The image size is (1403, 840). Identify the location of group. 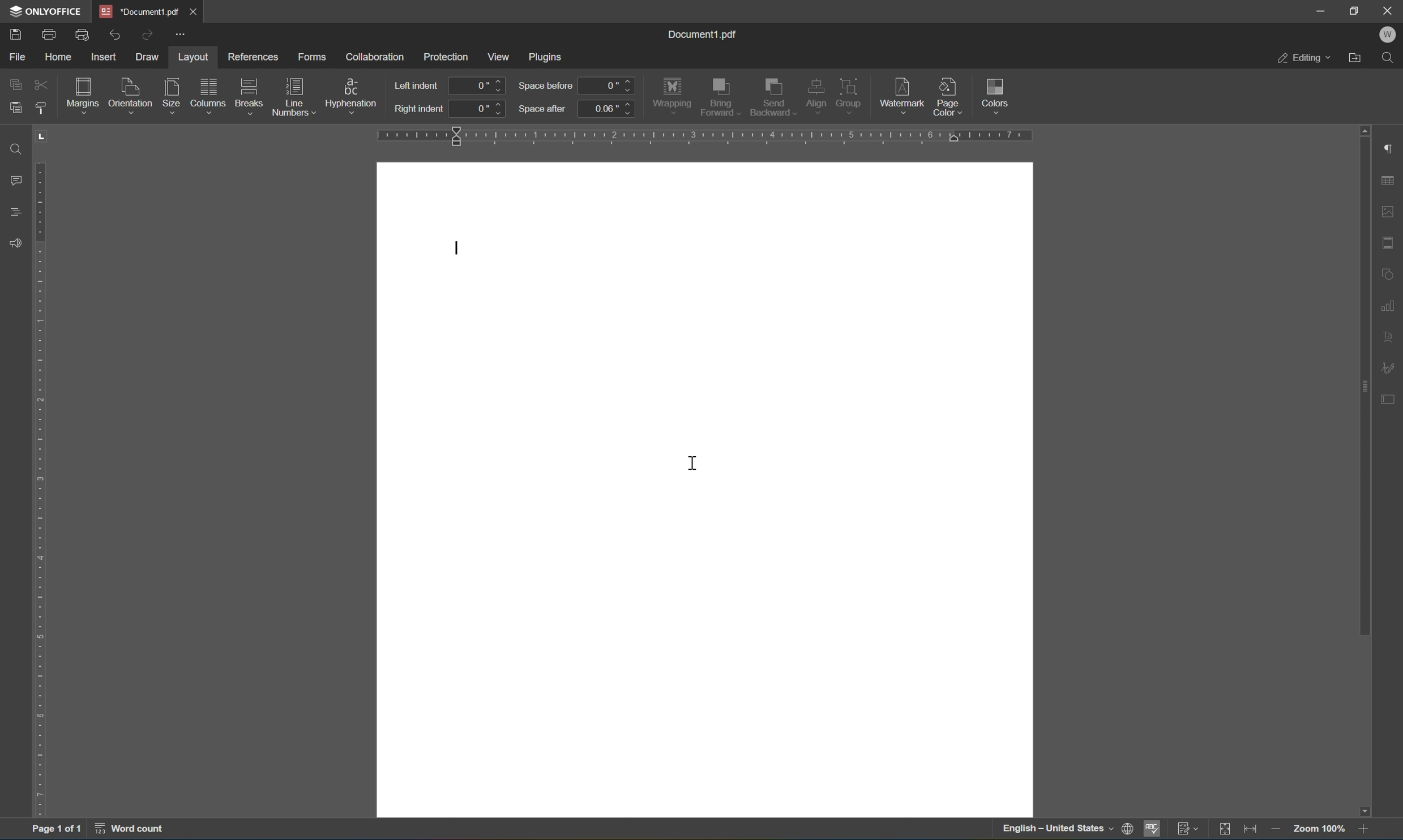
(852, 93).